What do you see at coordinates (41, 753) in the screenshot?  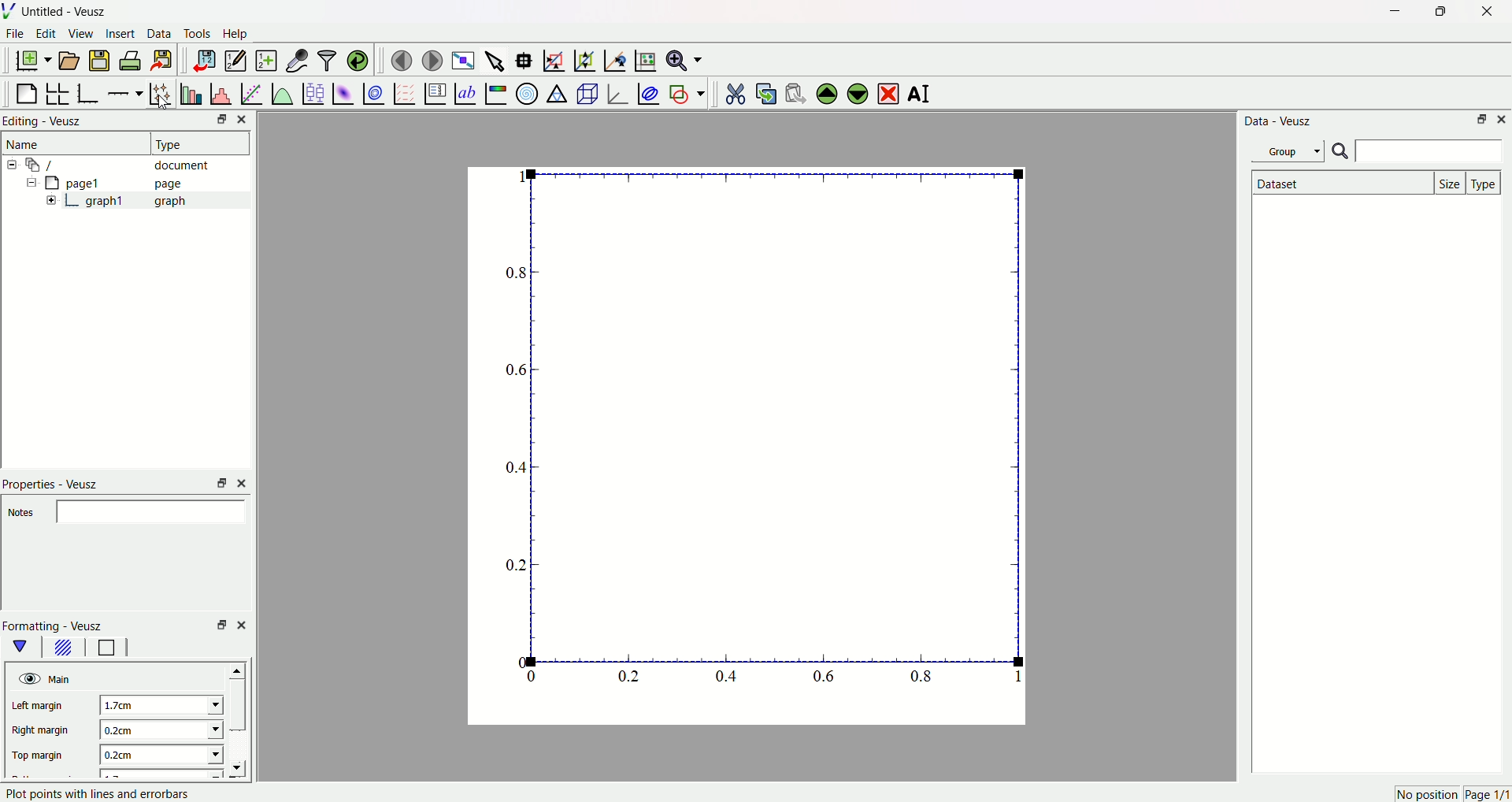 I see `top margin` at bounding box center [41, 753].